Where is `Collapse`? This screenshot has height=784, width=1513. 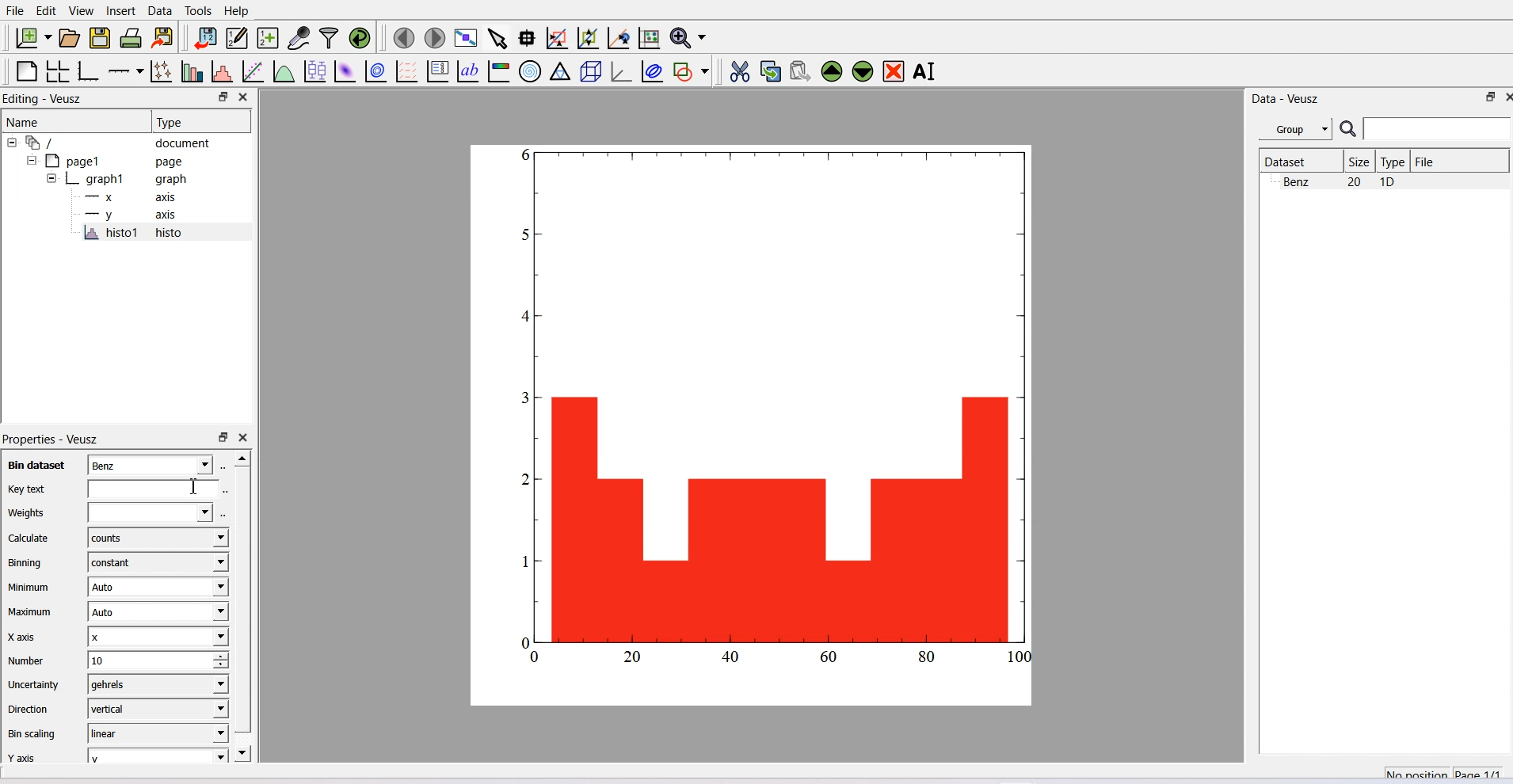 Collapse is located at coordinates (33, 160).